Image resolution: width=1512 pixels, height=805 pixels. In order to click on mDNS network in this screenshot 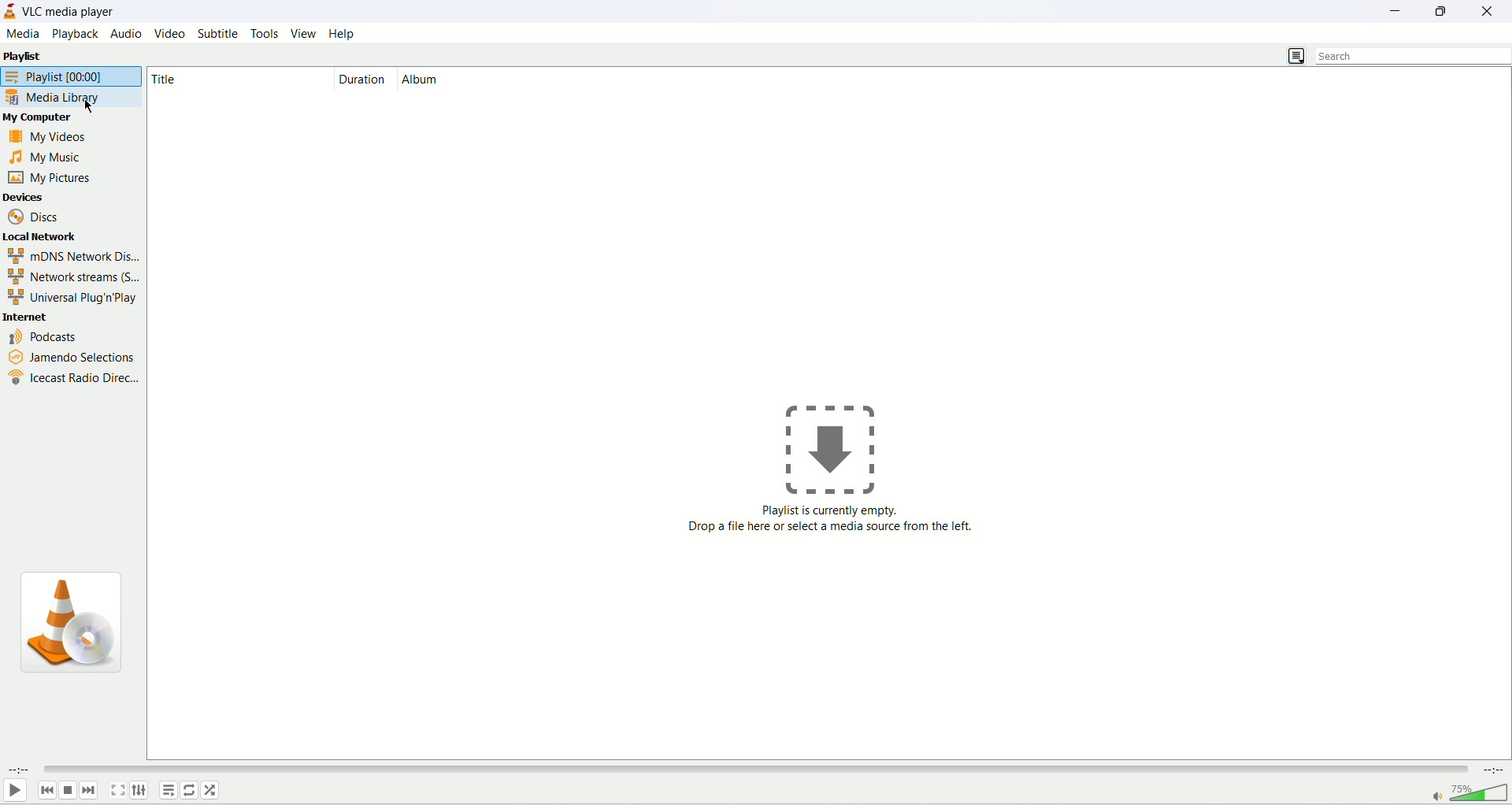, I will do `click(69, 256)`.